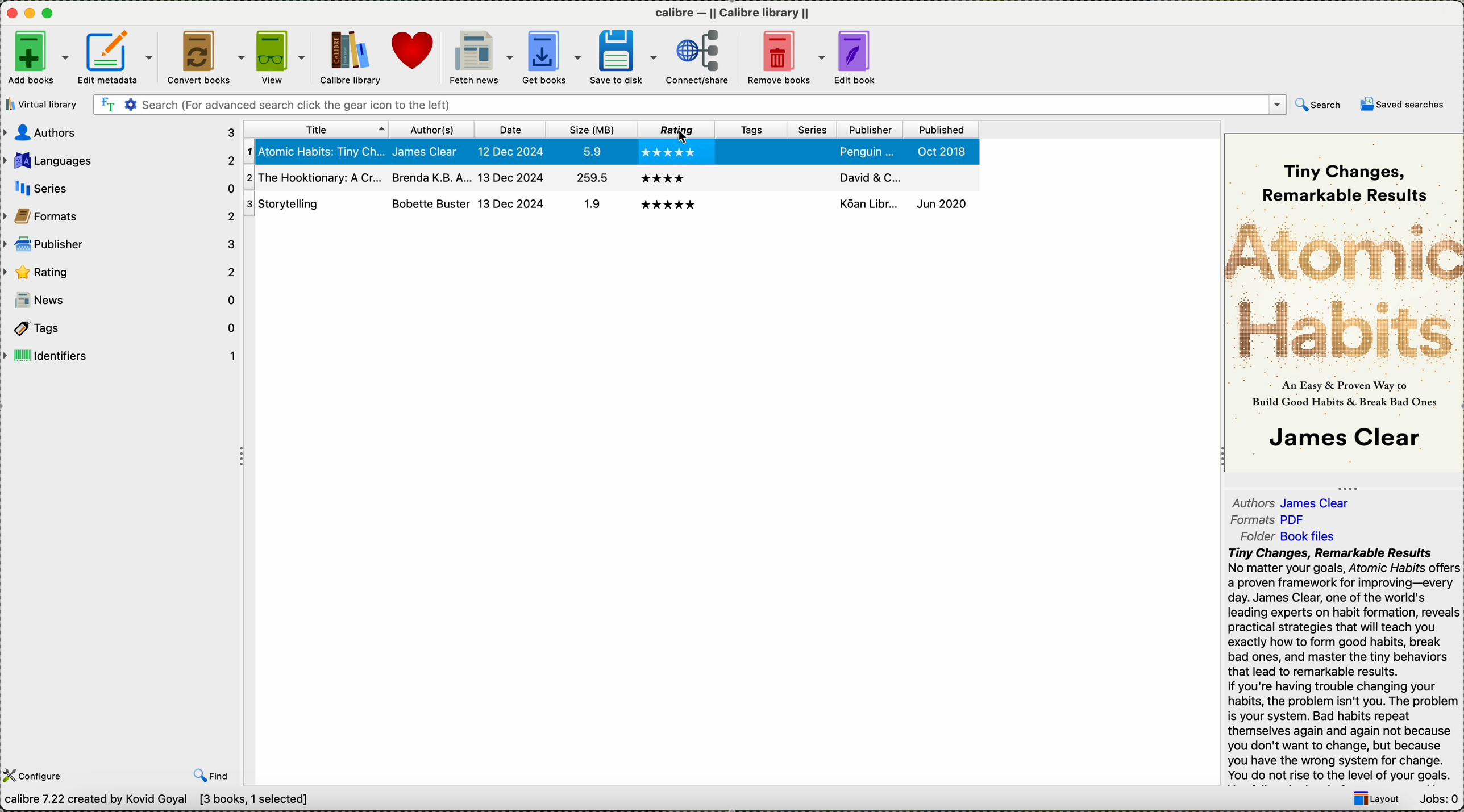 This screenshot has width=1464, height=812. Describe the element at coordinates (748, 207) in the screenshot. I see `tags` at that location.